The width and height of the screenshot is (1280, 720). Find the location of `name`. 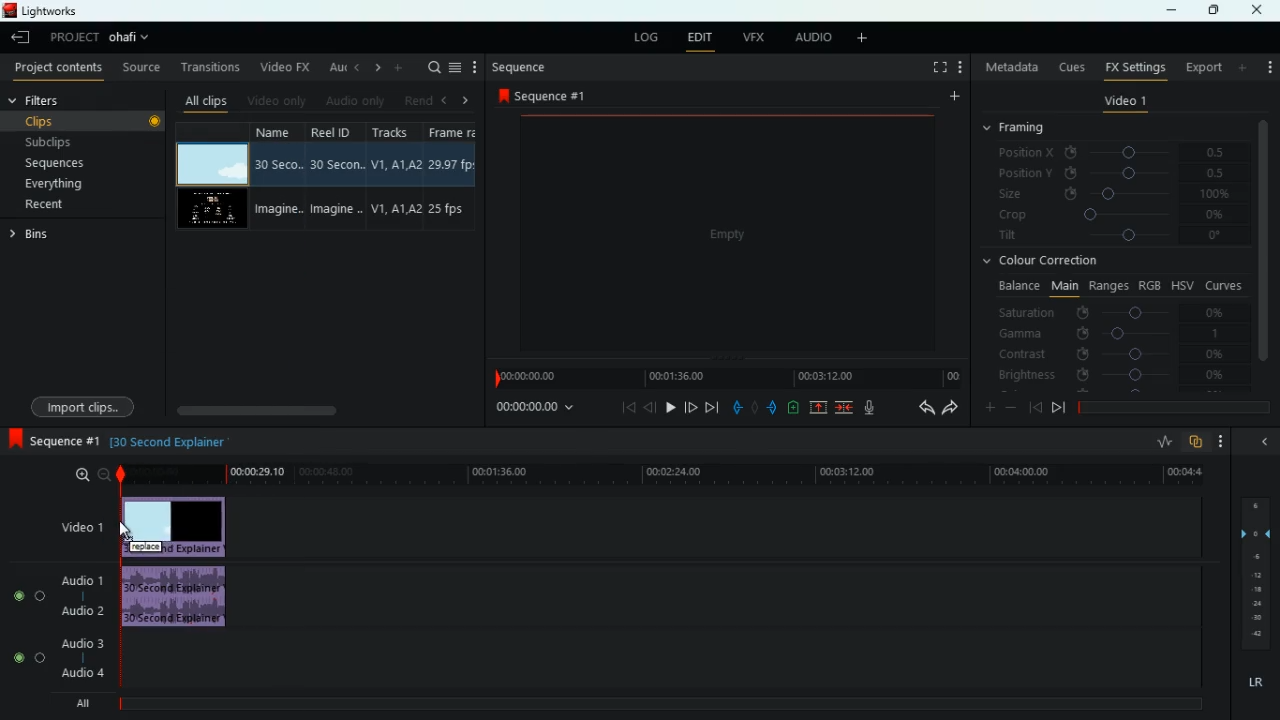

name is located at coordinates (276, 177).